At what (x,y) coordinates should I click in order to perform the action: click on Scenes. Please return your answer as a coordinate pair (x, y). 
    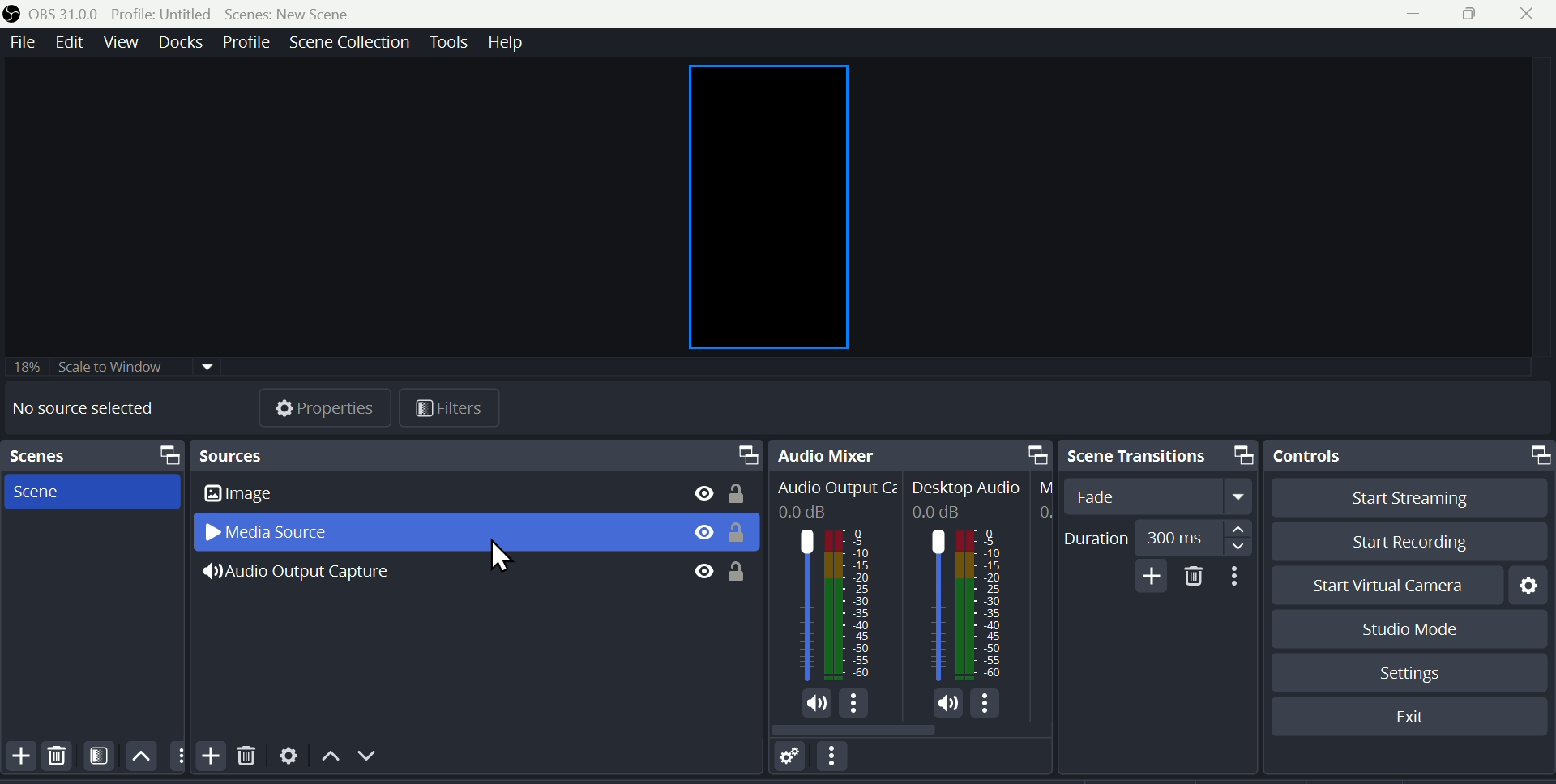
    Looking at the image, I should click on (91, 456).